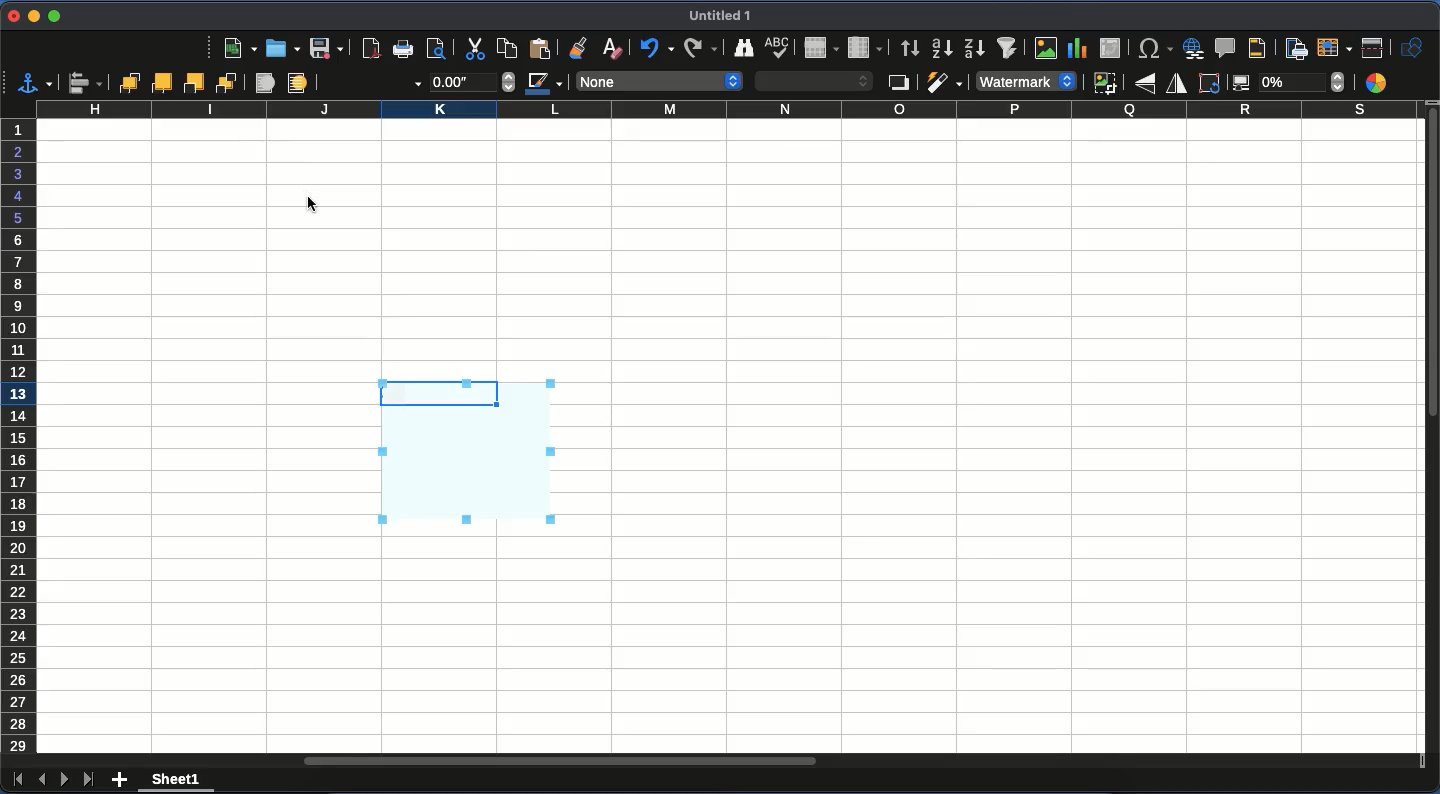 This screenshot has width=1440, height=794. What do you see at coordinates (1431, 270) in the screenshot?
I see `vertical scroll bar` at bounding box center [1431, 270].